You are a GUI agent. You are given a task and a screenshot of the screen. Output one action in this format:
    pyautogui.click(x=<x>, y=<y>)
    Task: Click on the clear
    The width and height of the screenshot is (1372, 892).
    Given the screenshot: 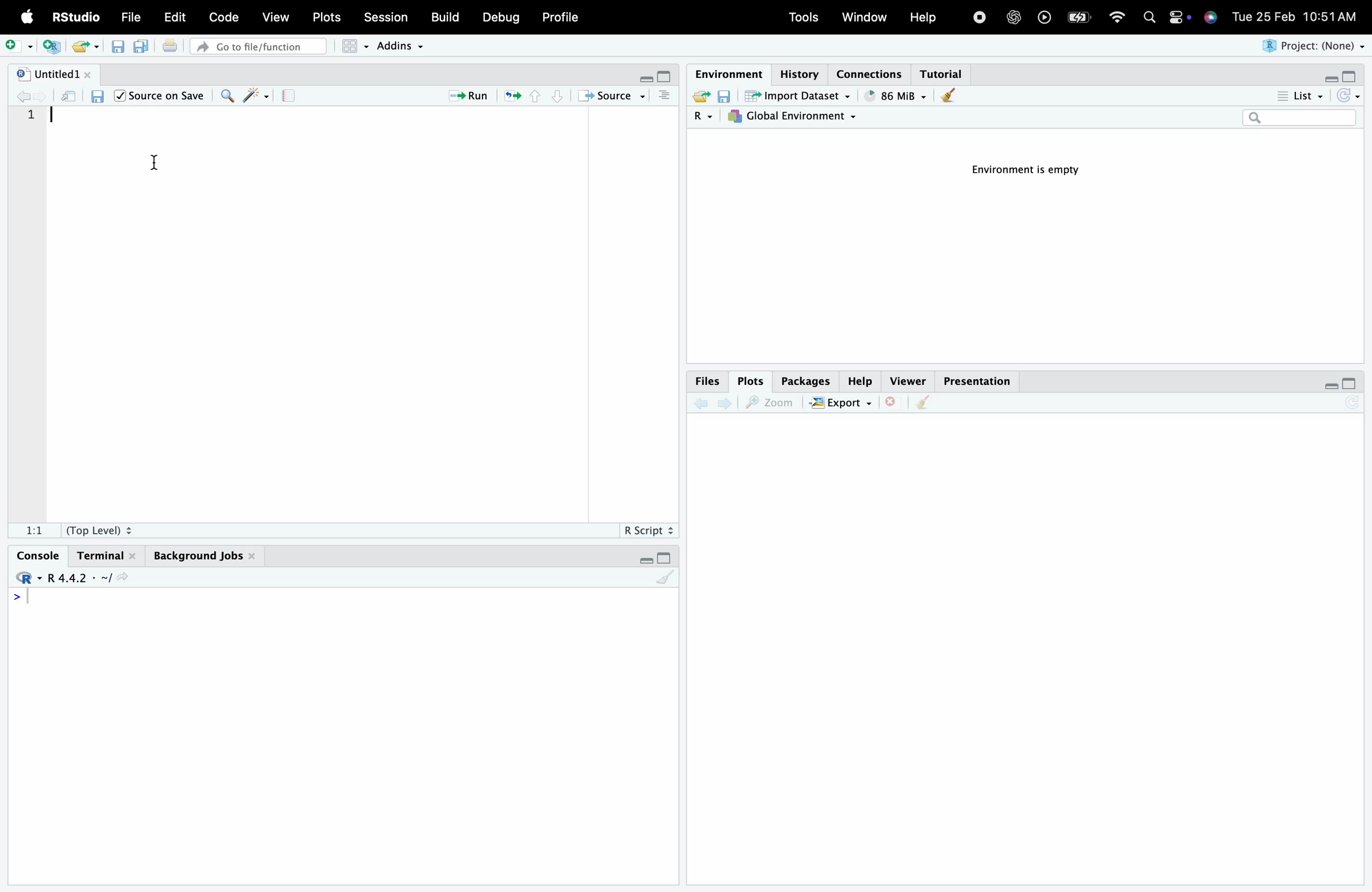 What is the action you would take?
    pyautogui.click(x=949, y=96)
    